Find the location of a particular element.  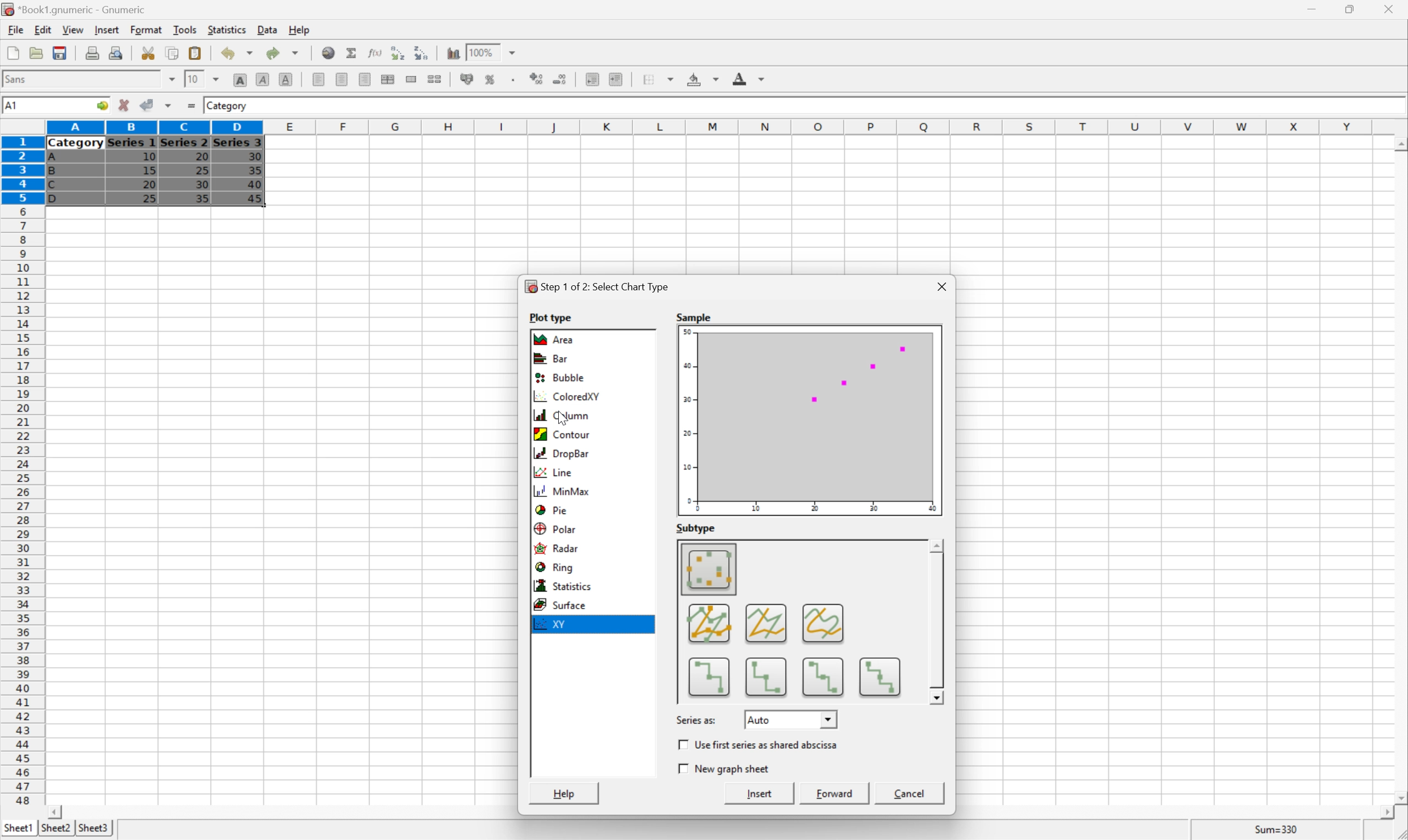

Cut selection is located at coordinates (149, 53).